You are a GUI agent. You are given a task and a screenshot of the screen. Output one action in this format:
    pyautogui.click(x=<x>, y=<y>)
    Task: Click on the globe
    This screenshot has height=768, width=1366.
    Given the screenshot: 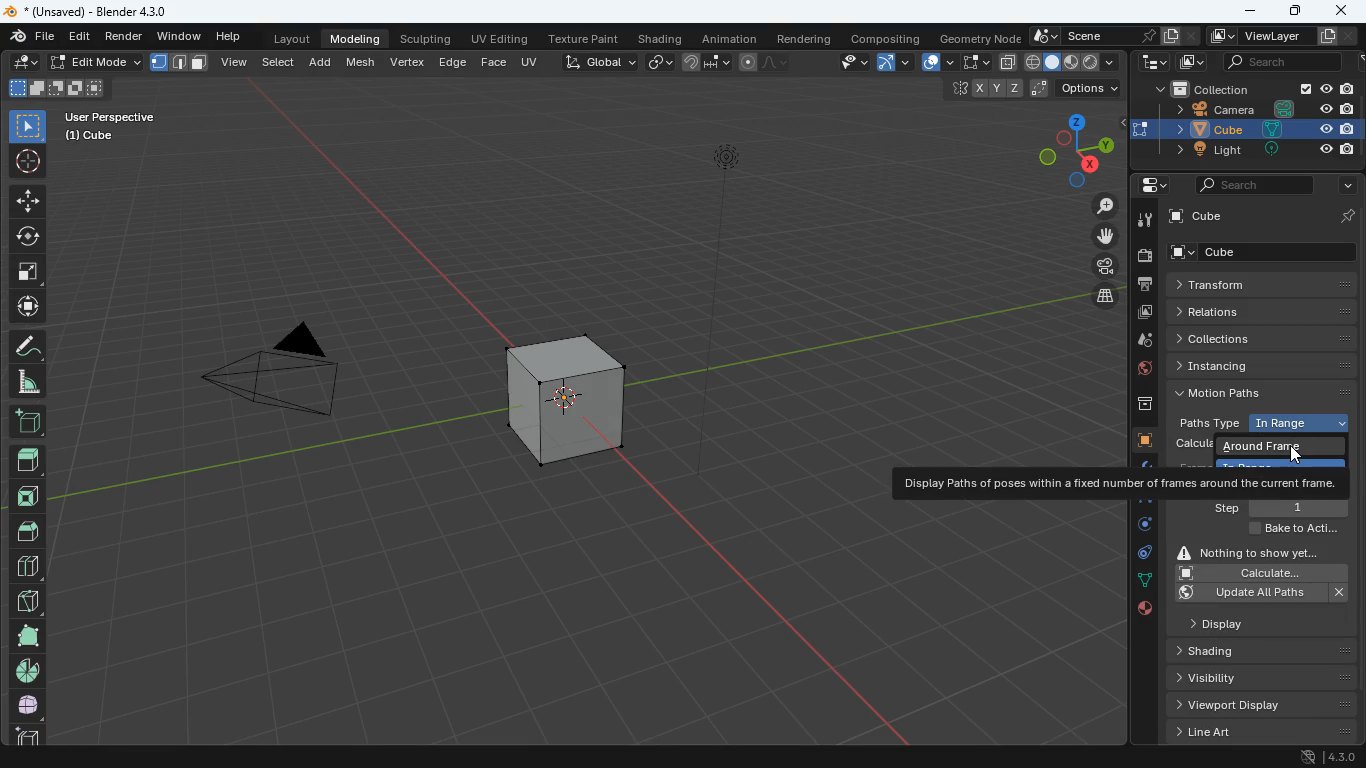 What is the action you would take?
    pyautogui.click(x=1145, y=371)
    